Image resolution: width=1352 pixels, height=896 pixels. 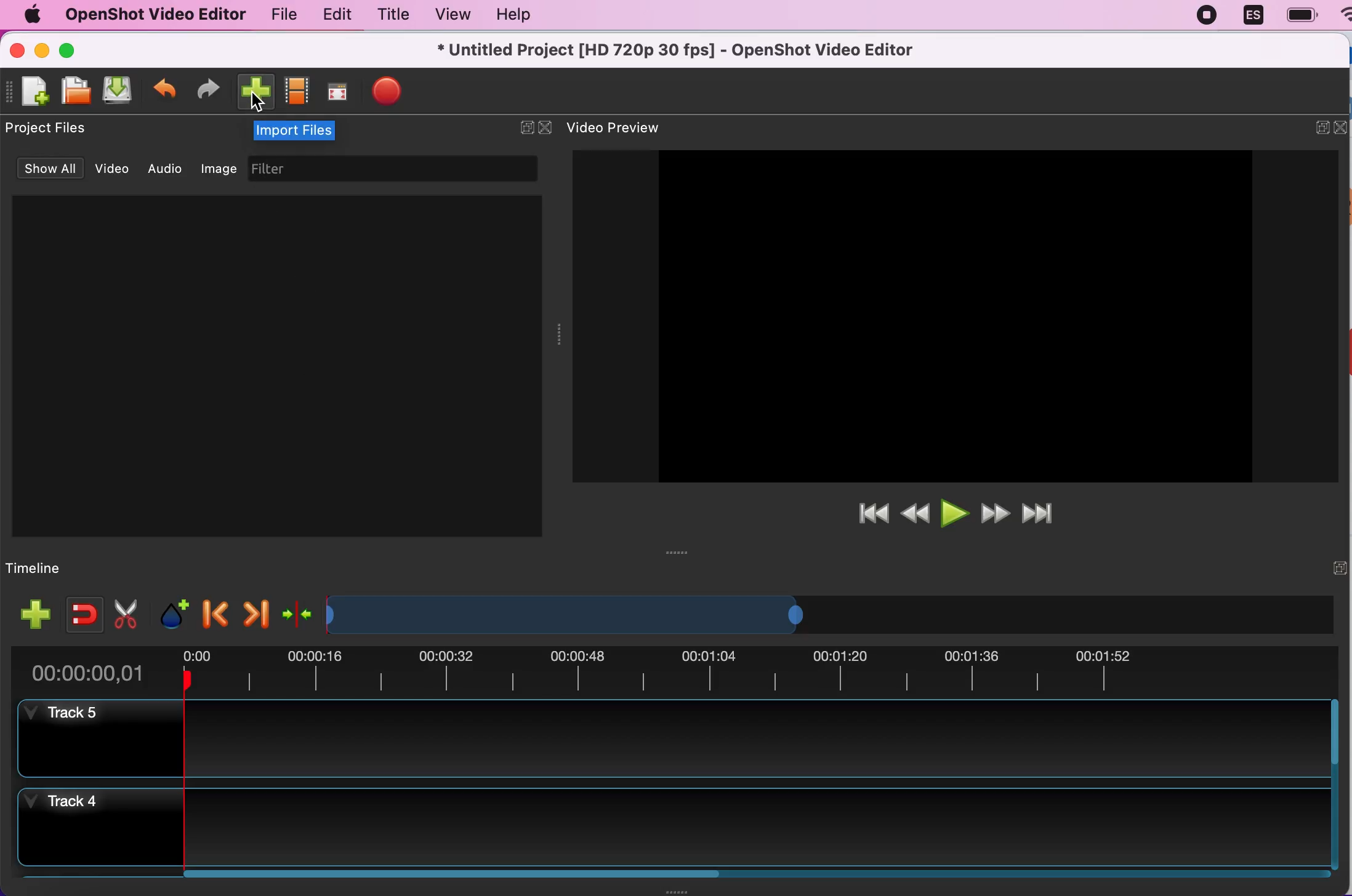 What do you see at coordinates (1207, 14) in the screenshot?
I see `recording stopped` at bounding box center [1207, 14].